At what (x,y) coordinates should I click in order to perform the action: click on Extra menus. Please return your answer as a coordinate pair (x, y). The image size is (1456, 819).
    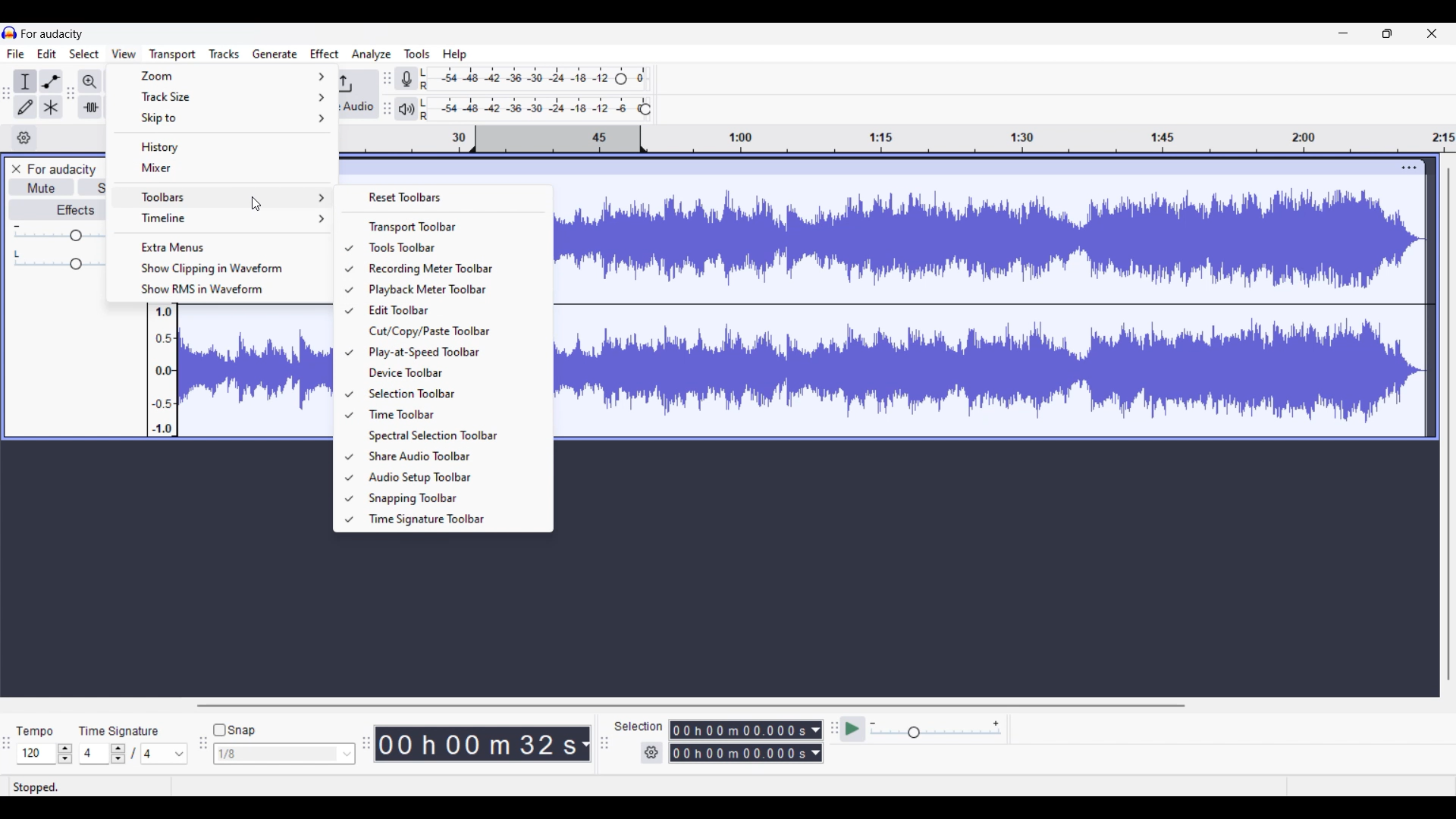
    Looking at the image, I should click on (219, 247).